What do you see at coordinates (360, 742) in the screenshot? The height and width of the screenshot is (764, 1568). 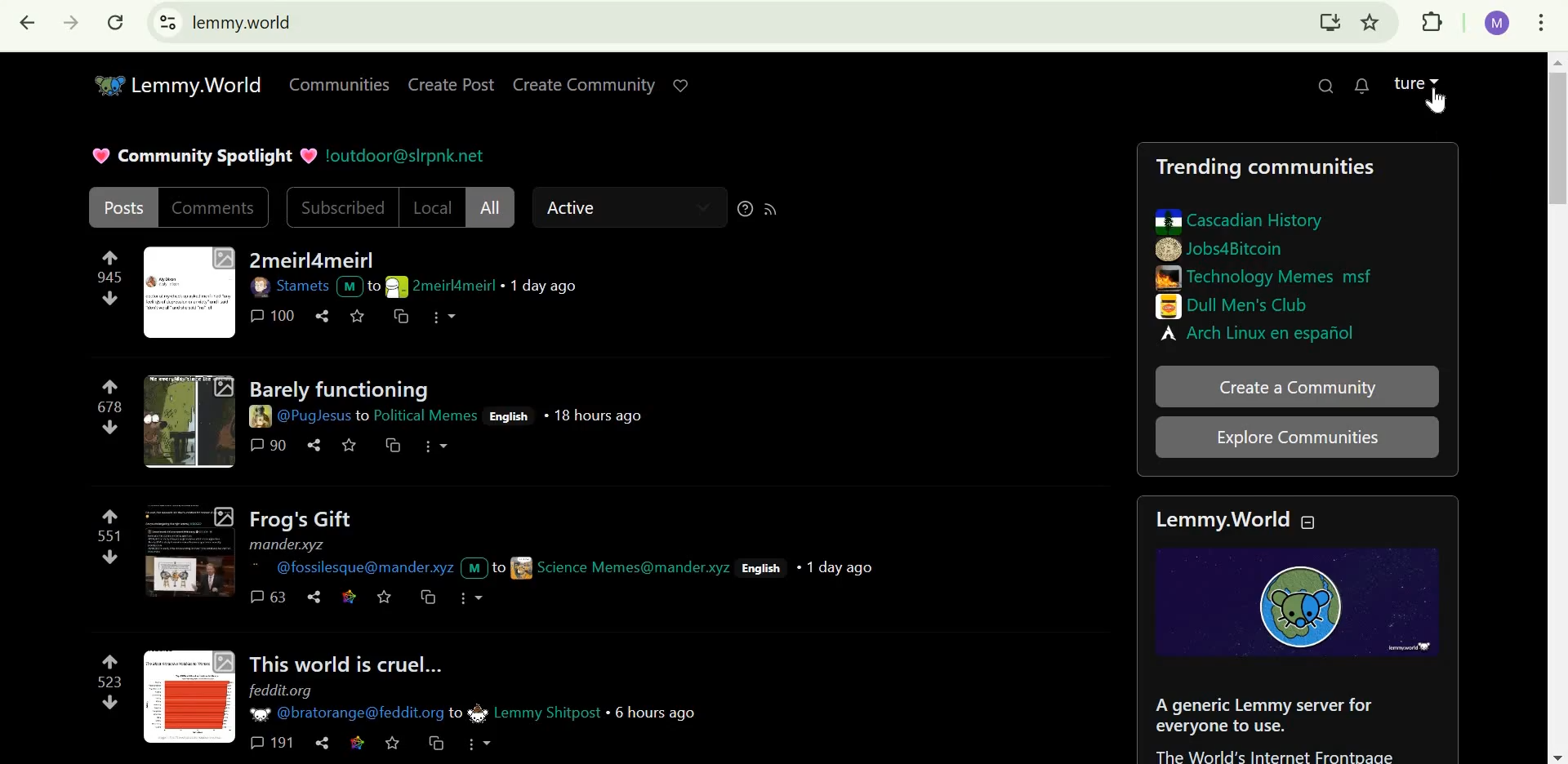 I see `link` at bounding box center [360, 742].